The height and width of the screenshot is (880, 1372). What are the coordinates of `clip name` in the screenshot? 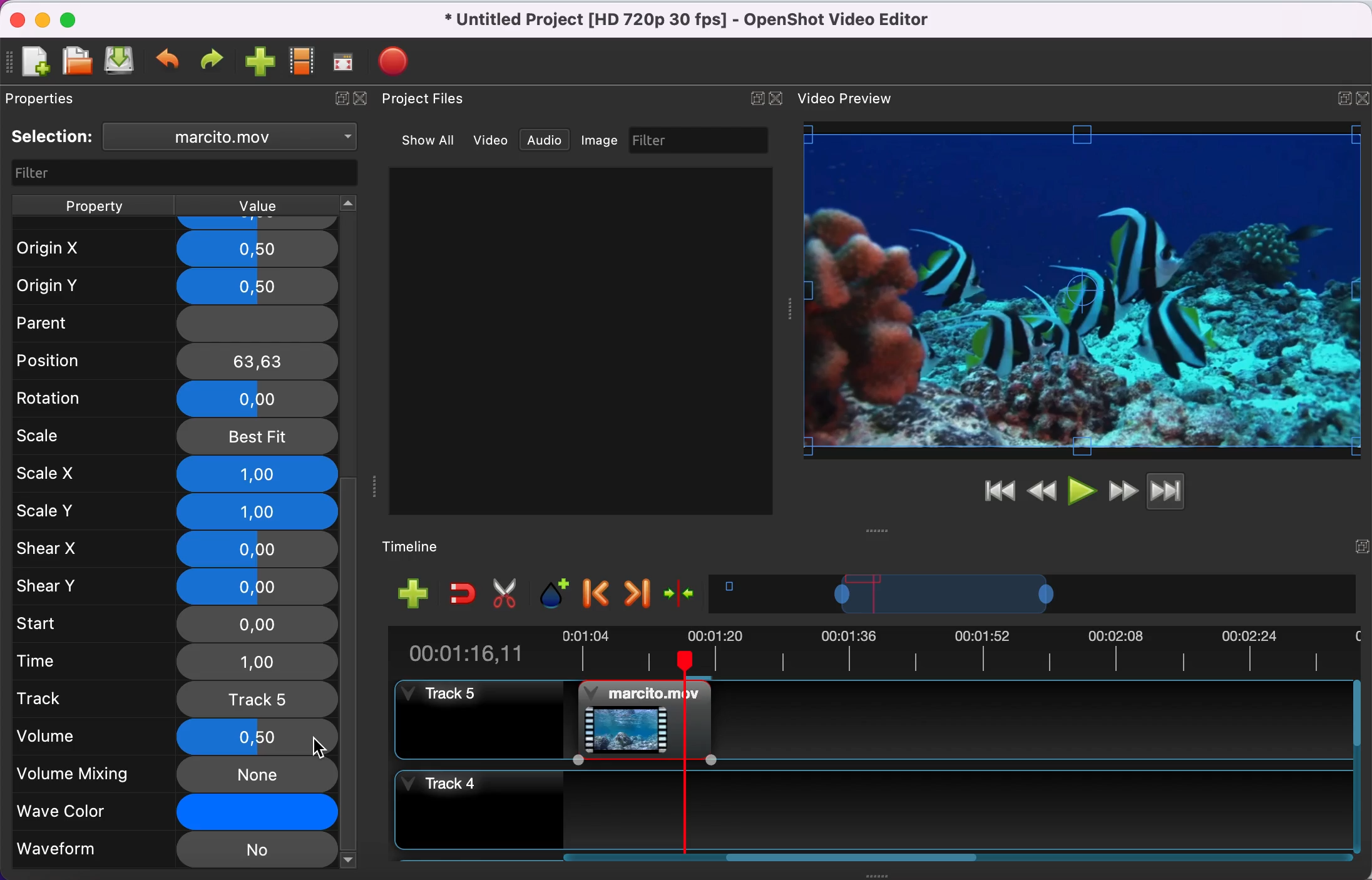 It's located at (232, 139).